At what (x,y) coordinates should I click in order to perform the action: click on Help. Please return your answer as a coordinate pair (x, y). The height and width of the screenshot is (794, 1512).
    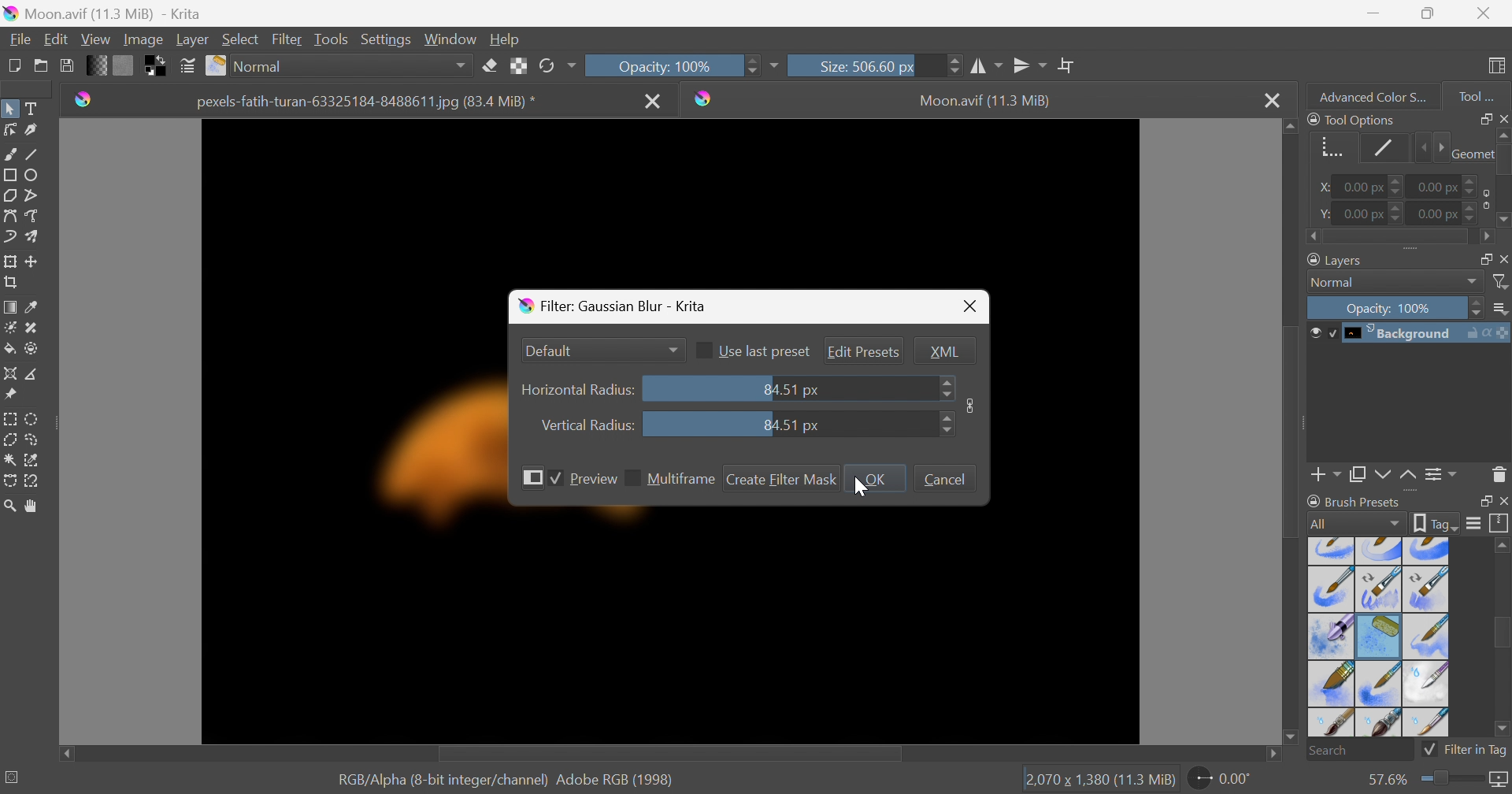
    Looking at the image, I should click on (504, 40).